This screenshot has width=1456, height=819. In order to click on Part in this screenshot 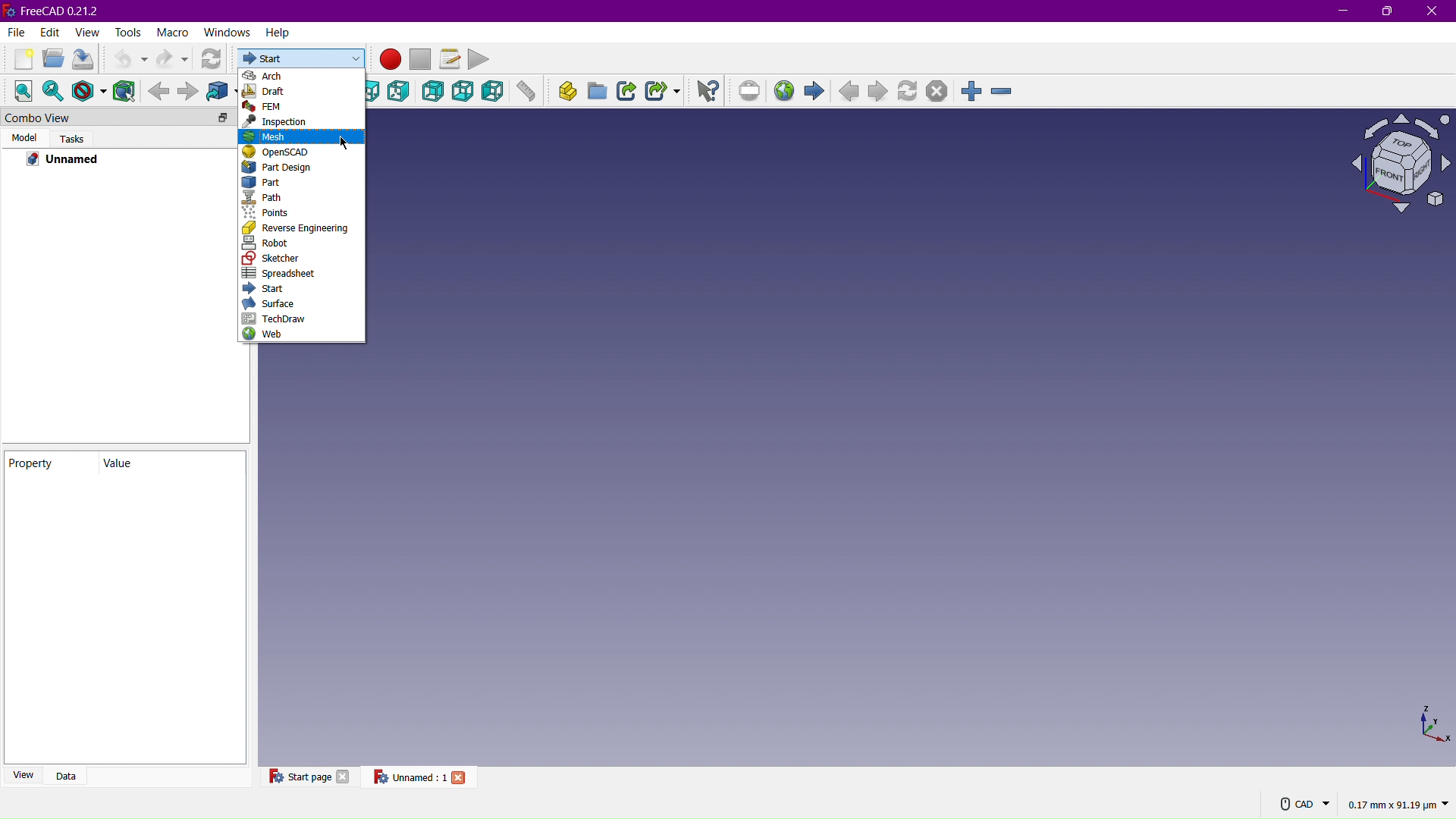, I will do `click(303, 183)`.